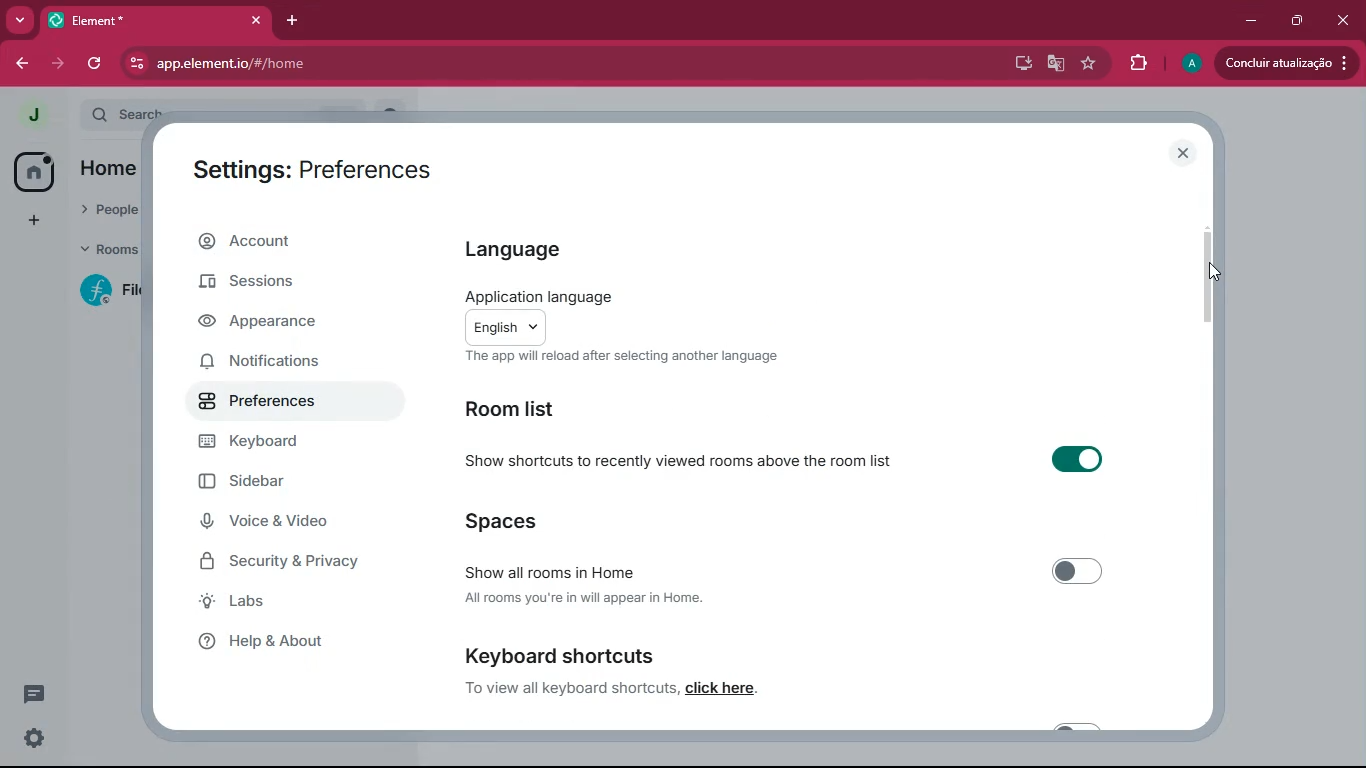  What do you see at coordinates (35, 172) in the screenshot?
I see `home` at bounding box center [35, 172].